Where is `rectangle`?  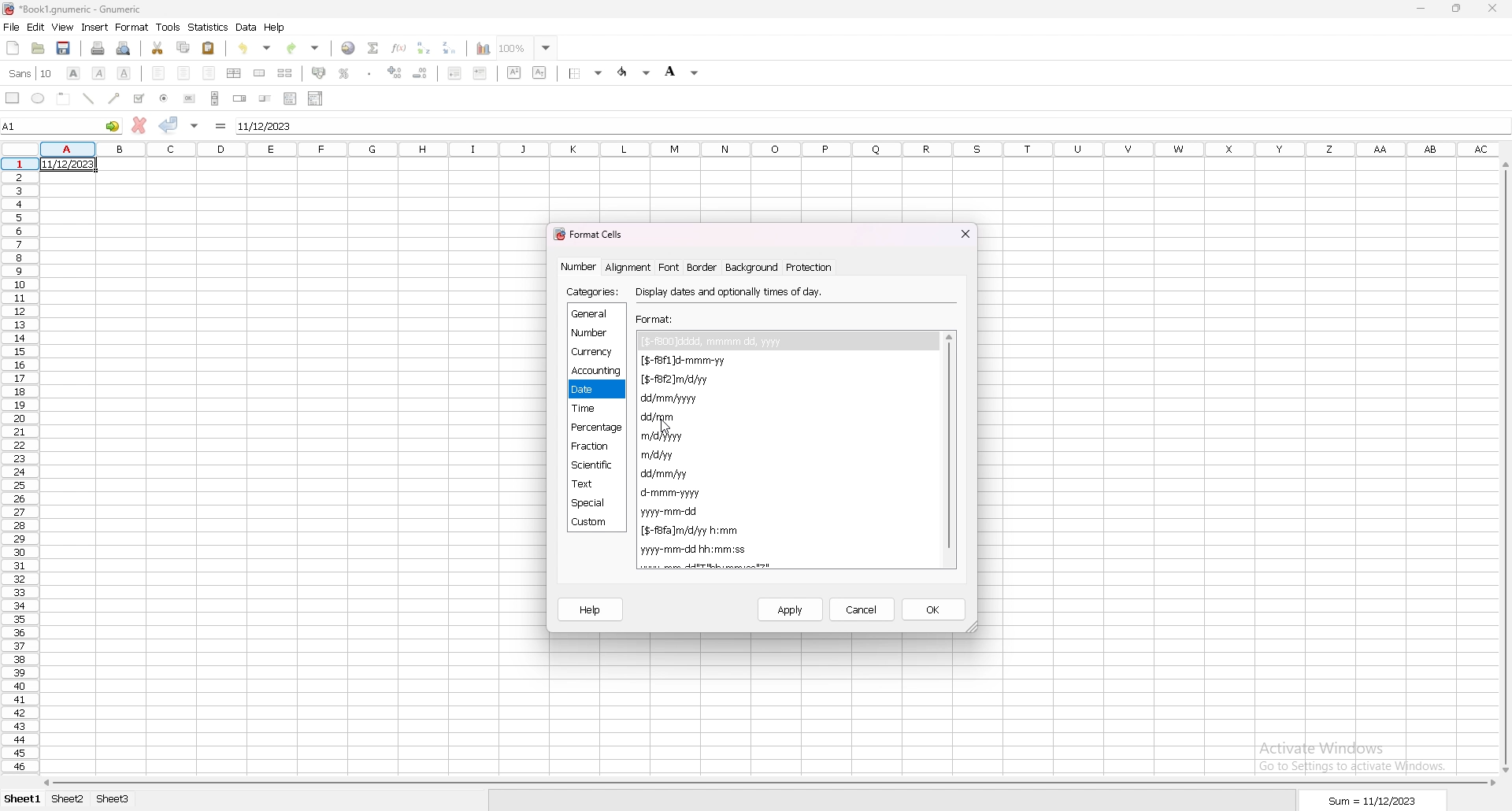 rectangle is located at coordinates (12, 98).